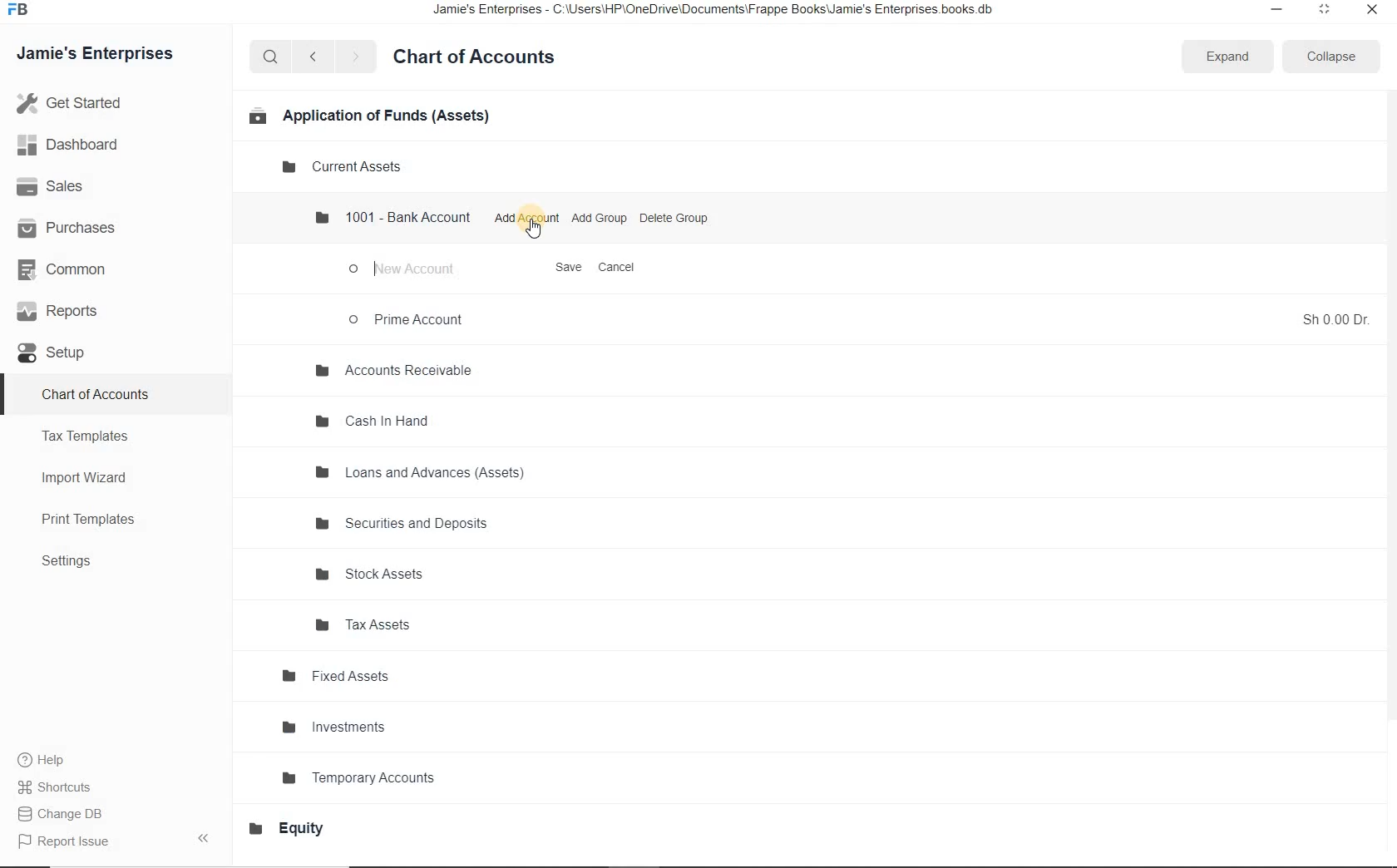 The image size is (1397, 868). Describe the element at coordinates (75, 227) in the screenshot. I see `Purchases` at that location.